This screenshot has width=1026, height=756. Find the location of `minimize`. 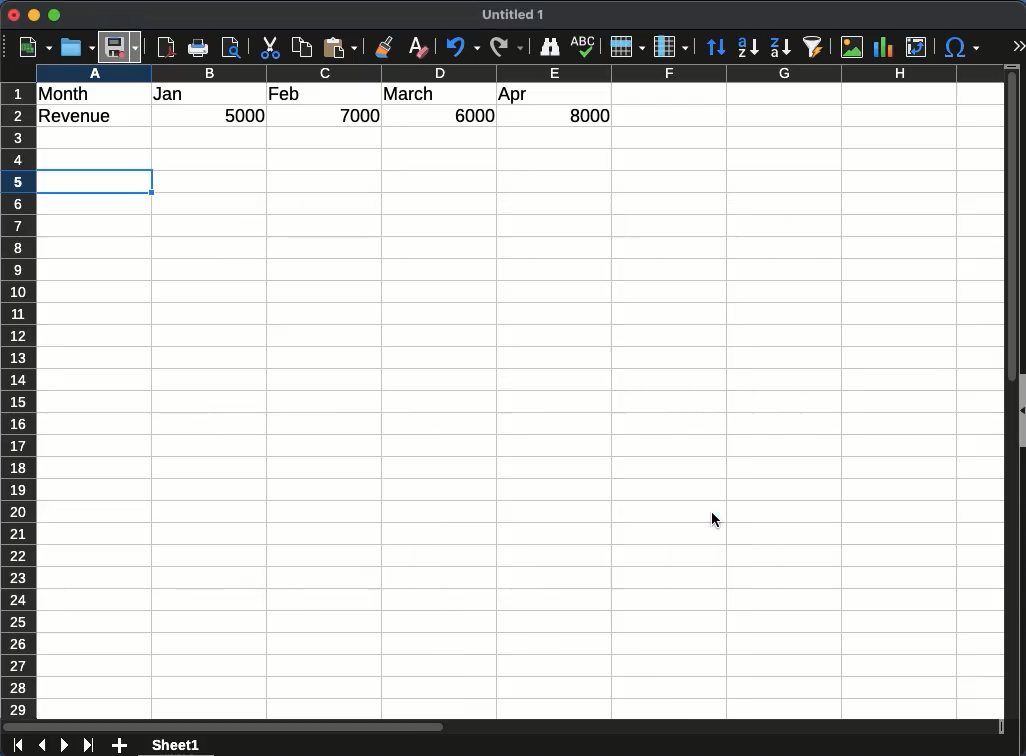

minimize is located at coordinates (35, 15).